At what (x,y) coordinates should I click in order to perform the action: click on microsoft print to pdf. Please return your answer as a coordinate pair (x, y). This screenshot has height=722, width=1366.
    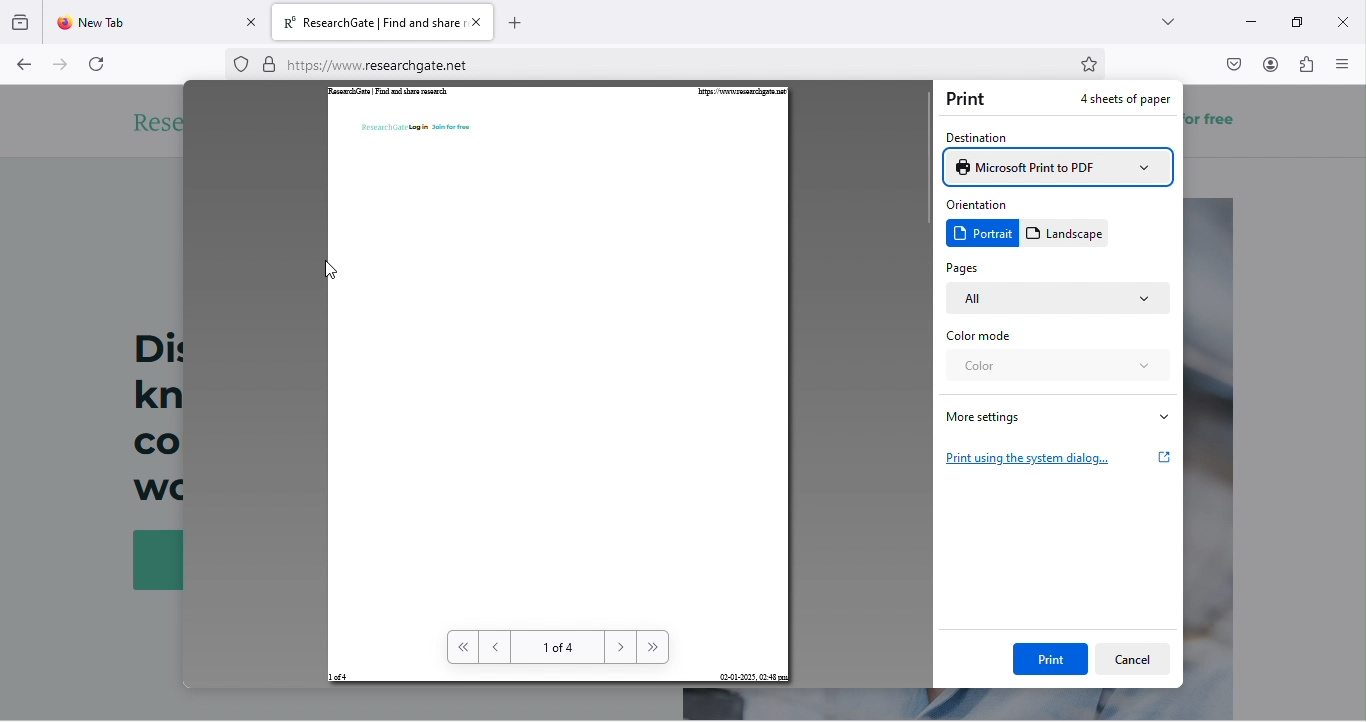
    Looking at the image, I should click on (1057, 167).